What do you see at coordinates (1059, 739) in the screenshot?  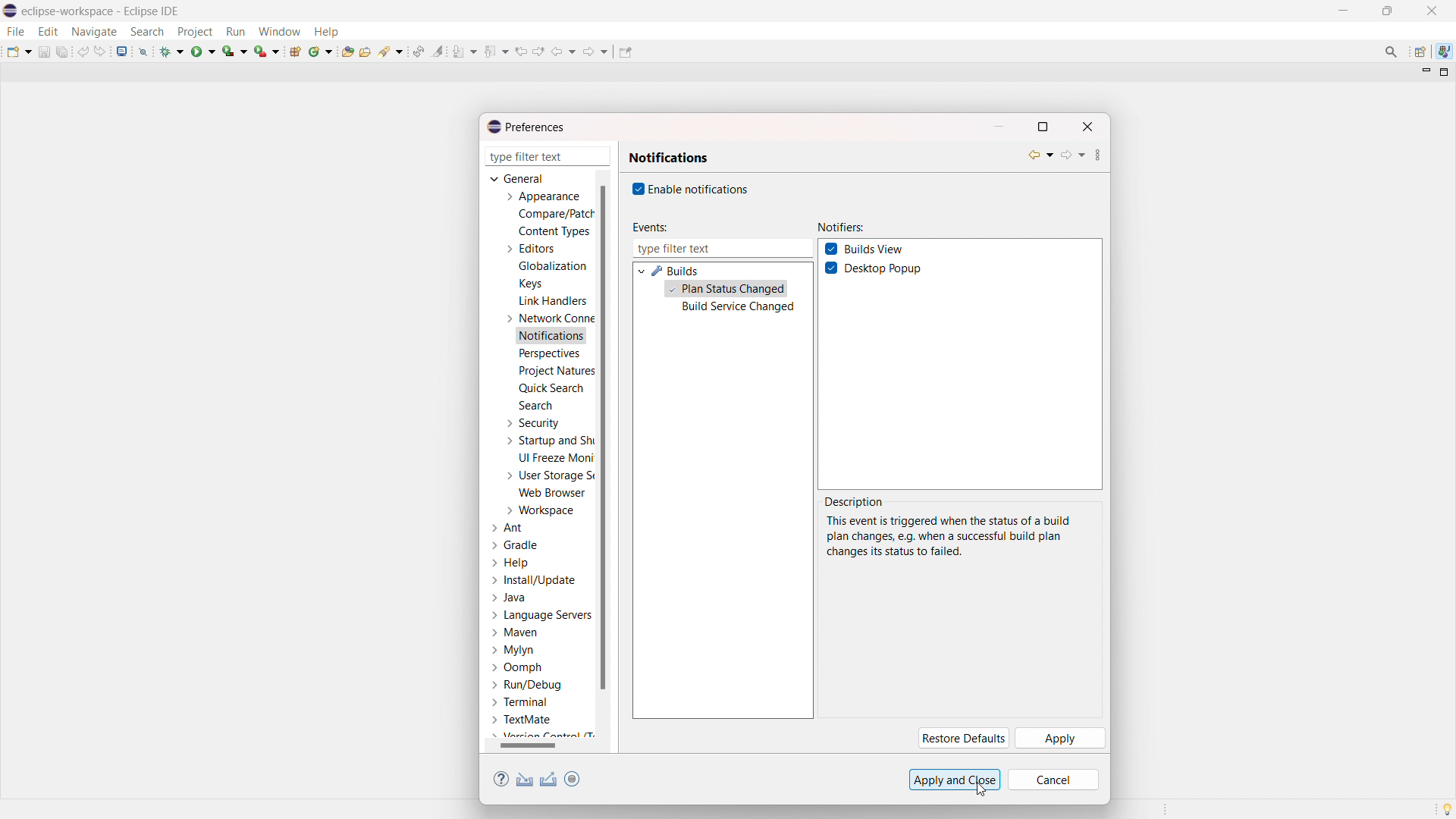 I see `apply` at bounding box center [1059, 739].